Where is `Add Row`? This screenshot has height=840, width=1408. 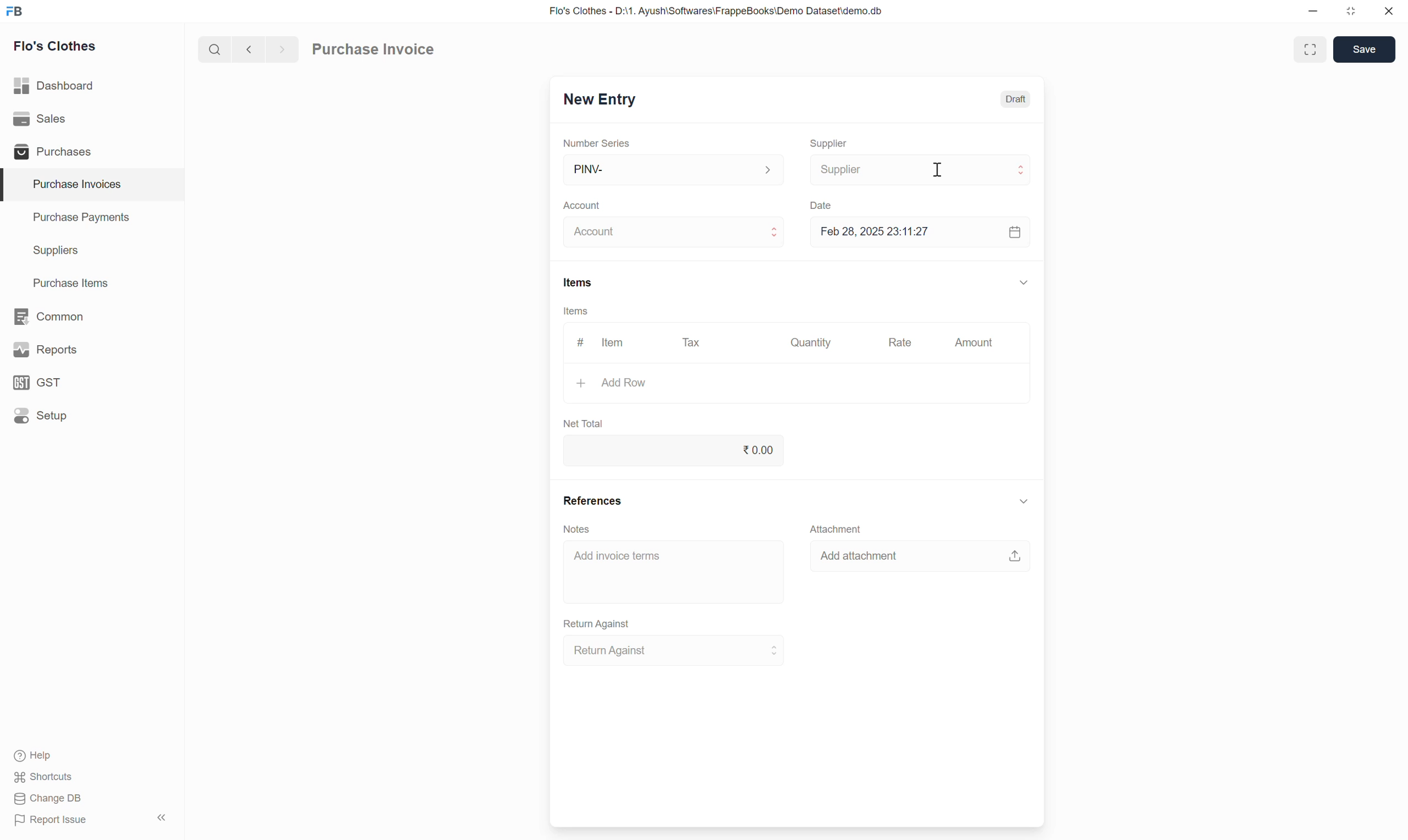
Add Row is located at coordinates (795, 383).